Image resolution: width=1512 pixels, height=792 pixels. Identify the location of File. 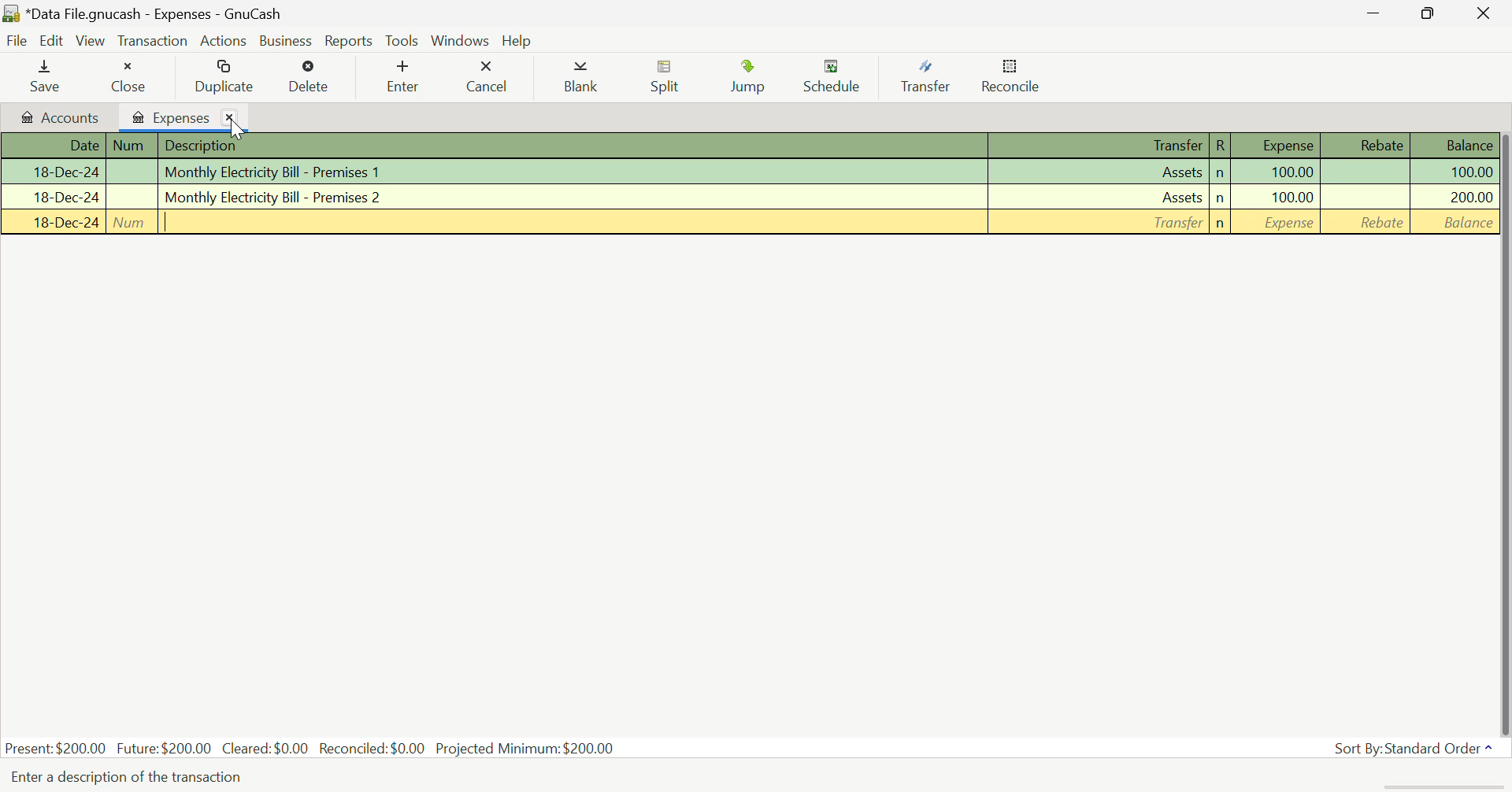
(17, 42).